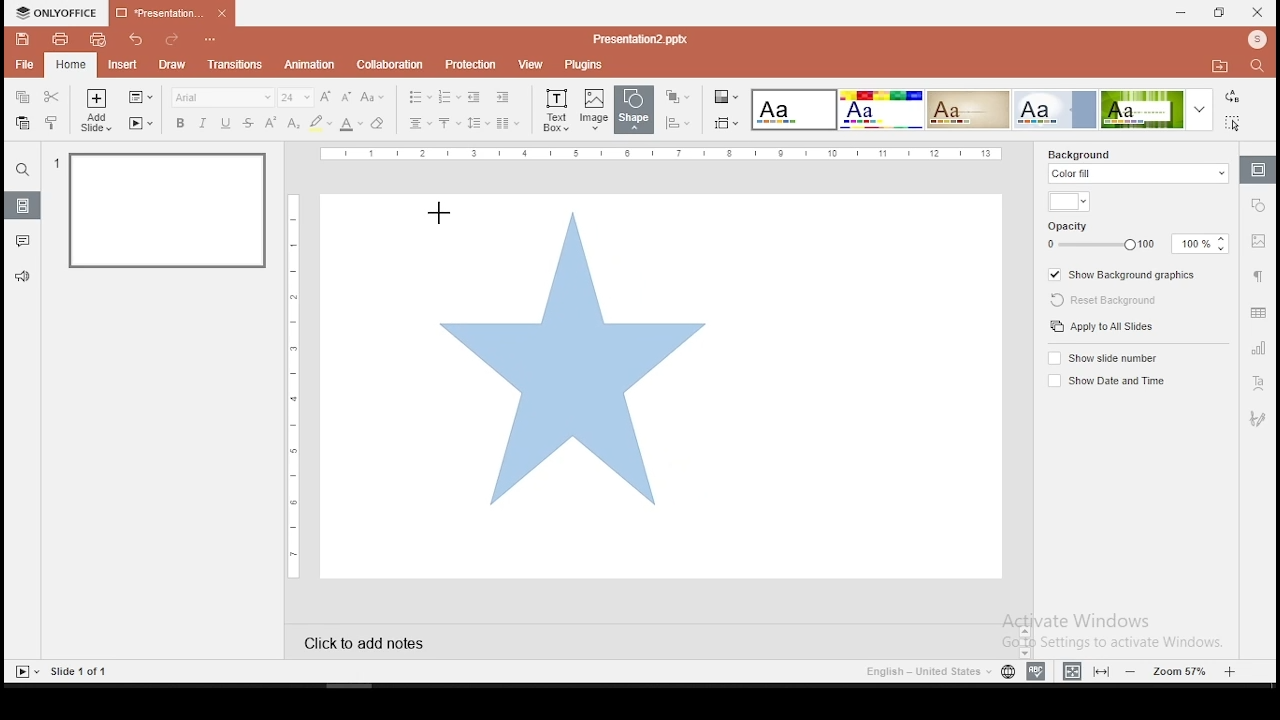 This screenshot has height=720, width=1280. What do you see at coordinates (248, 123) in the screenshot?
I see `strikethrough` at bounding box center [248, 123].